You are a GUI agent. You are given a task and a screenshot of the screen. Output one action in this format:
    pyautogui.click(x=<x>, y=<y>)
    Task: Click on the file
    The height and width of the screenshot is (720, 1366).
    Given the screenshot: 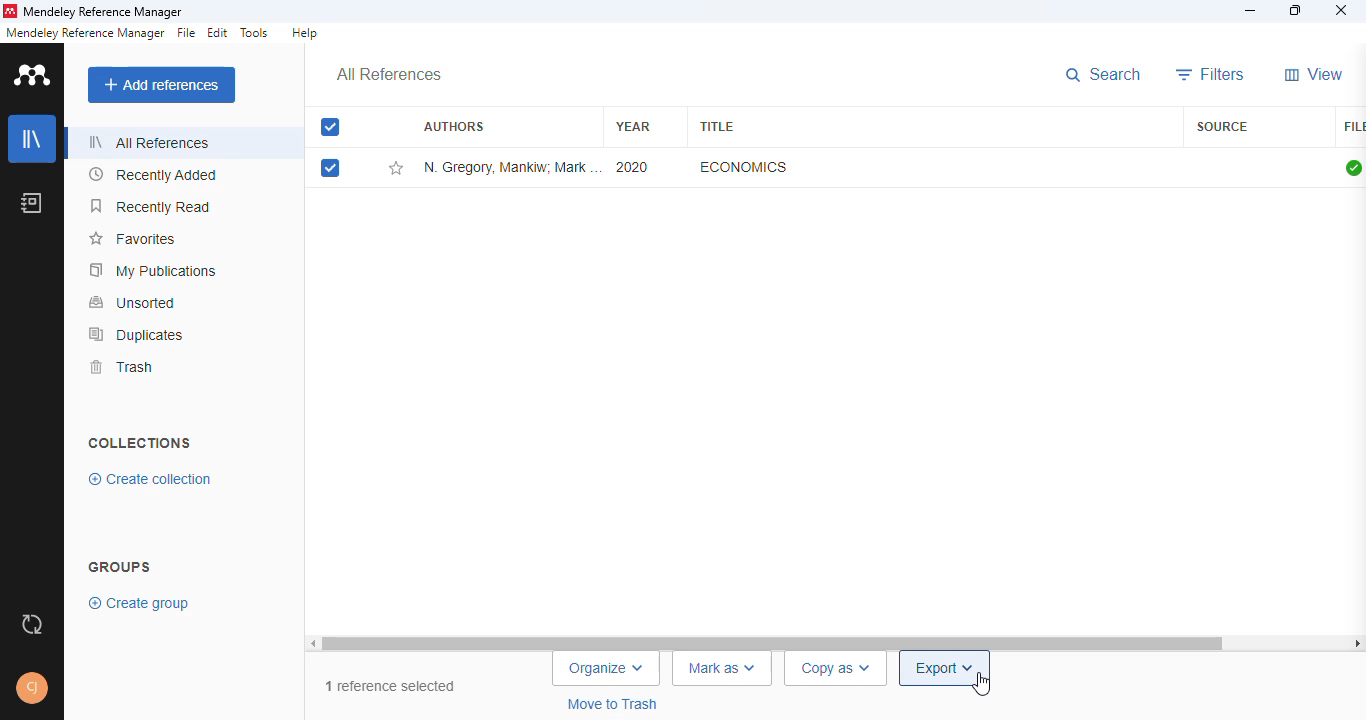 What is the action you would take?
    pyautogui.click(x=186, y=33)
    